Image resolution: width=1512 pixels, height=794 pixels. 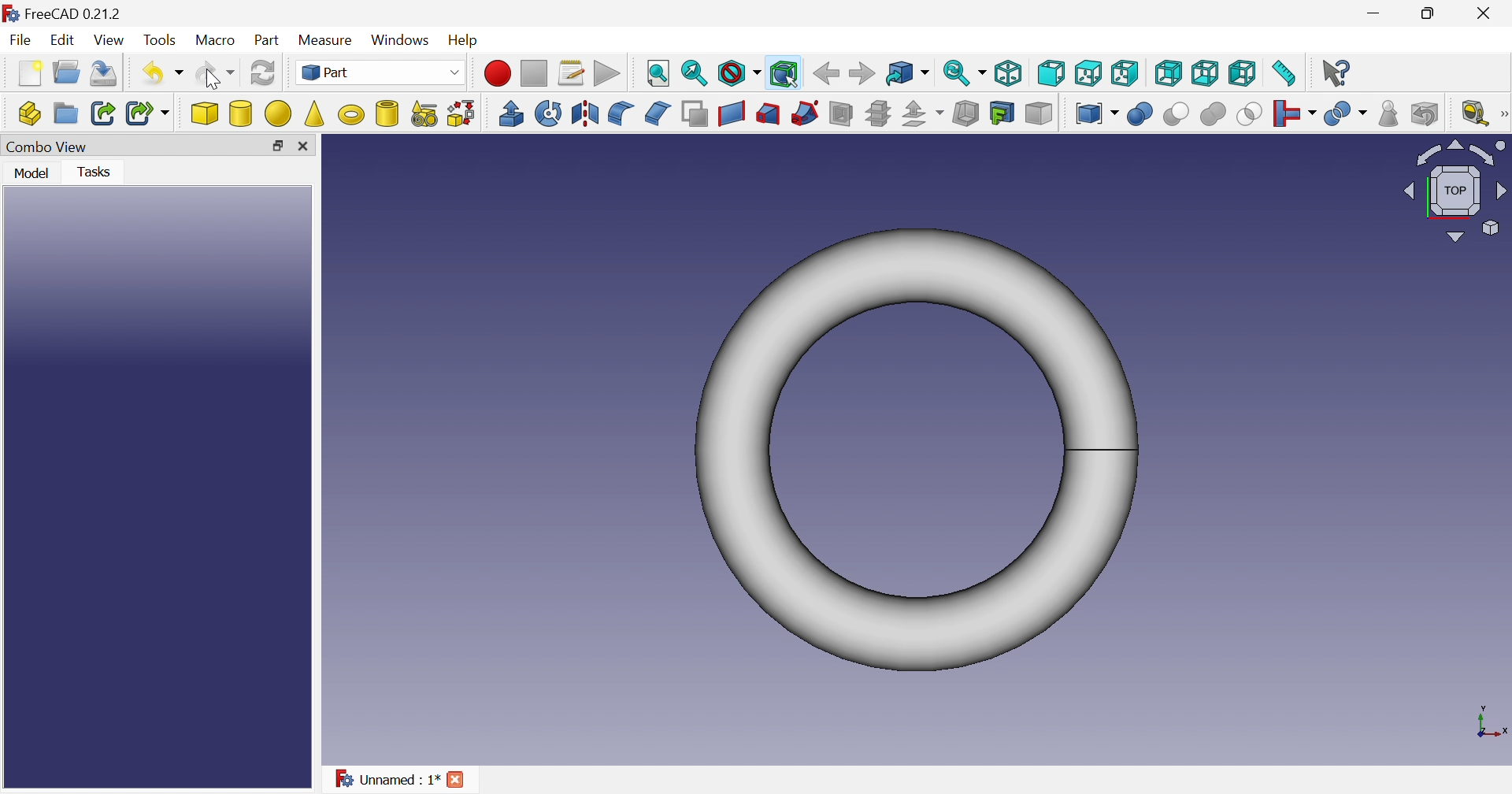 What do you see at coordinates (1038, 112) in the screenshot?
I see `Color per face` at bounding box center [1038, 112].